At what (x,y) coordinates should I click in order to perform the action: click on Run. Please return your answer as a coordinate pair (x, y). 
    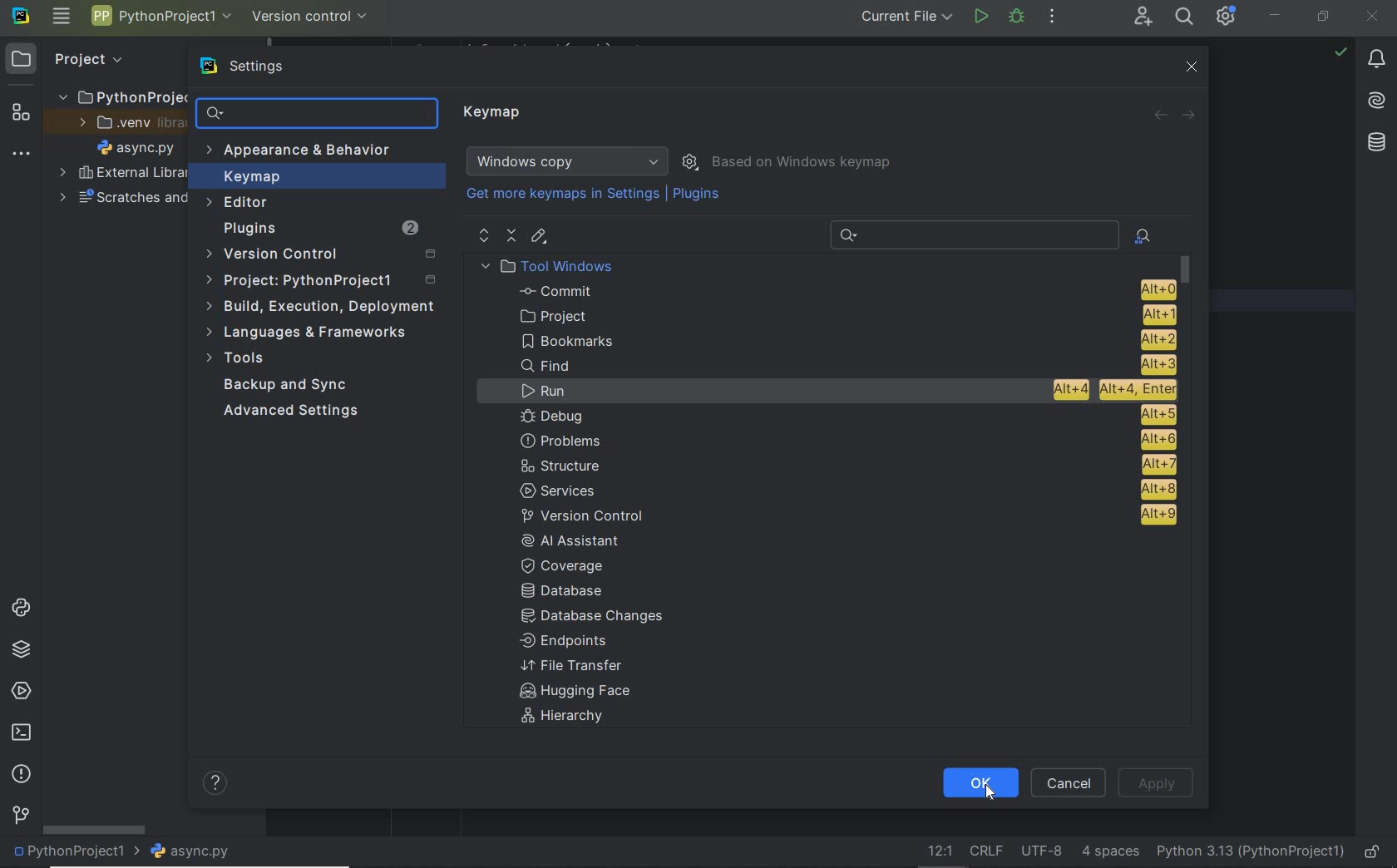
    Looking at the image, I should click on (849, 389).